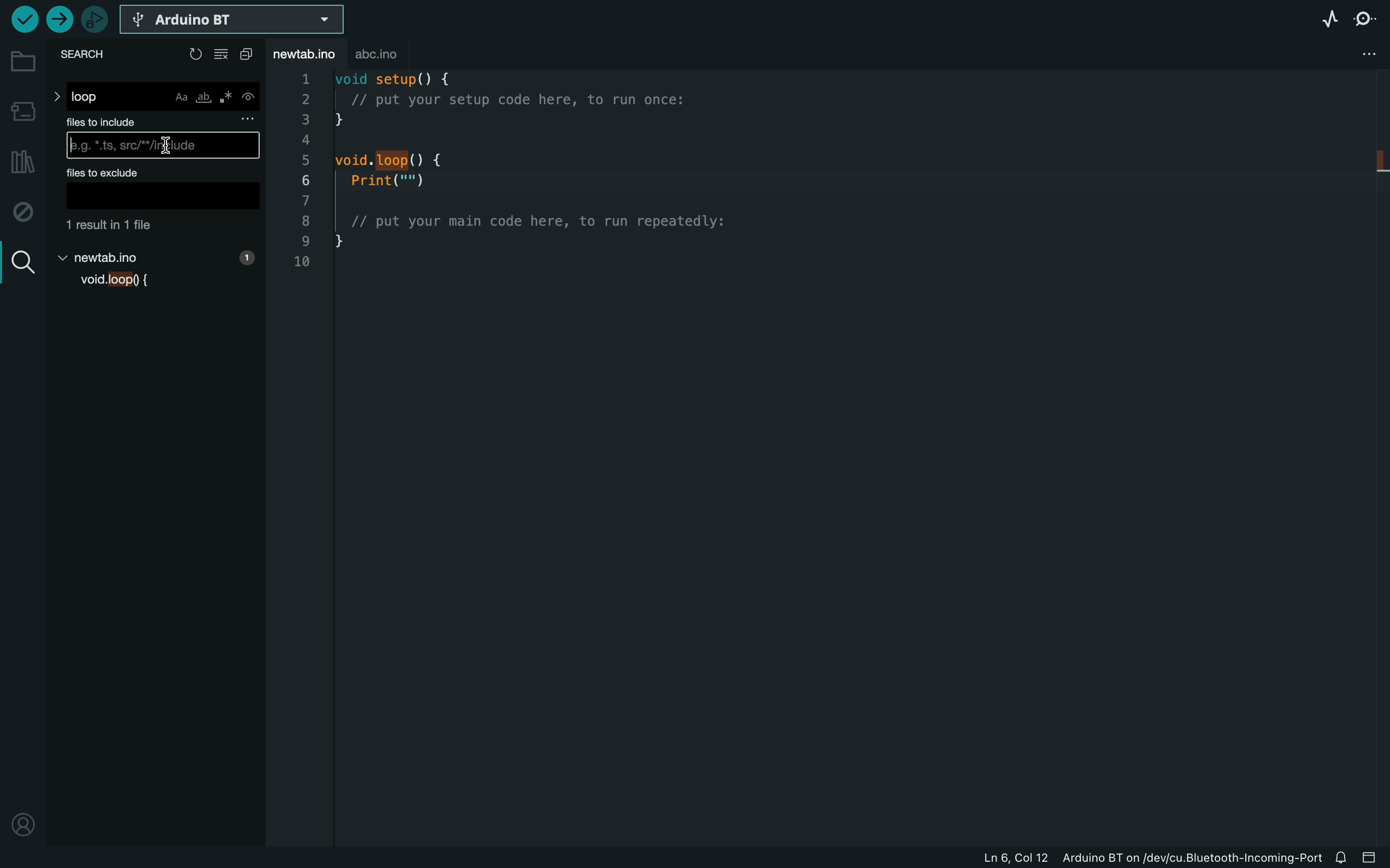 The image size is (1390, 868). What do you see at coordinates (164, 147) in the screenshot?
I see `cursor` at bounding box center [164, 147].